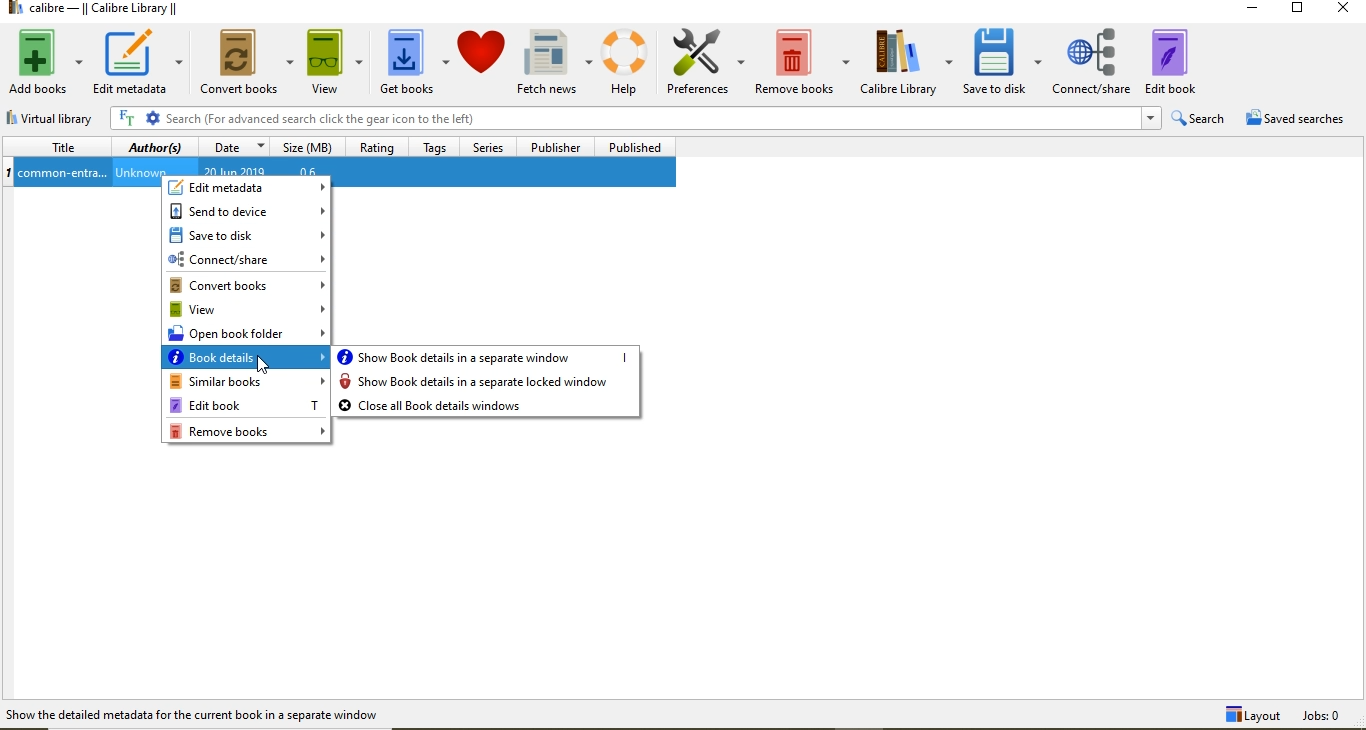 This screenshot has width=1366, height=730. I want to click on virtual library, so click(58, 119).